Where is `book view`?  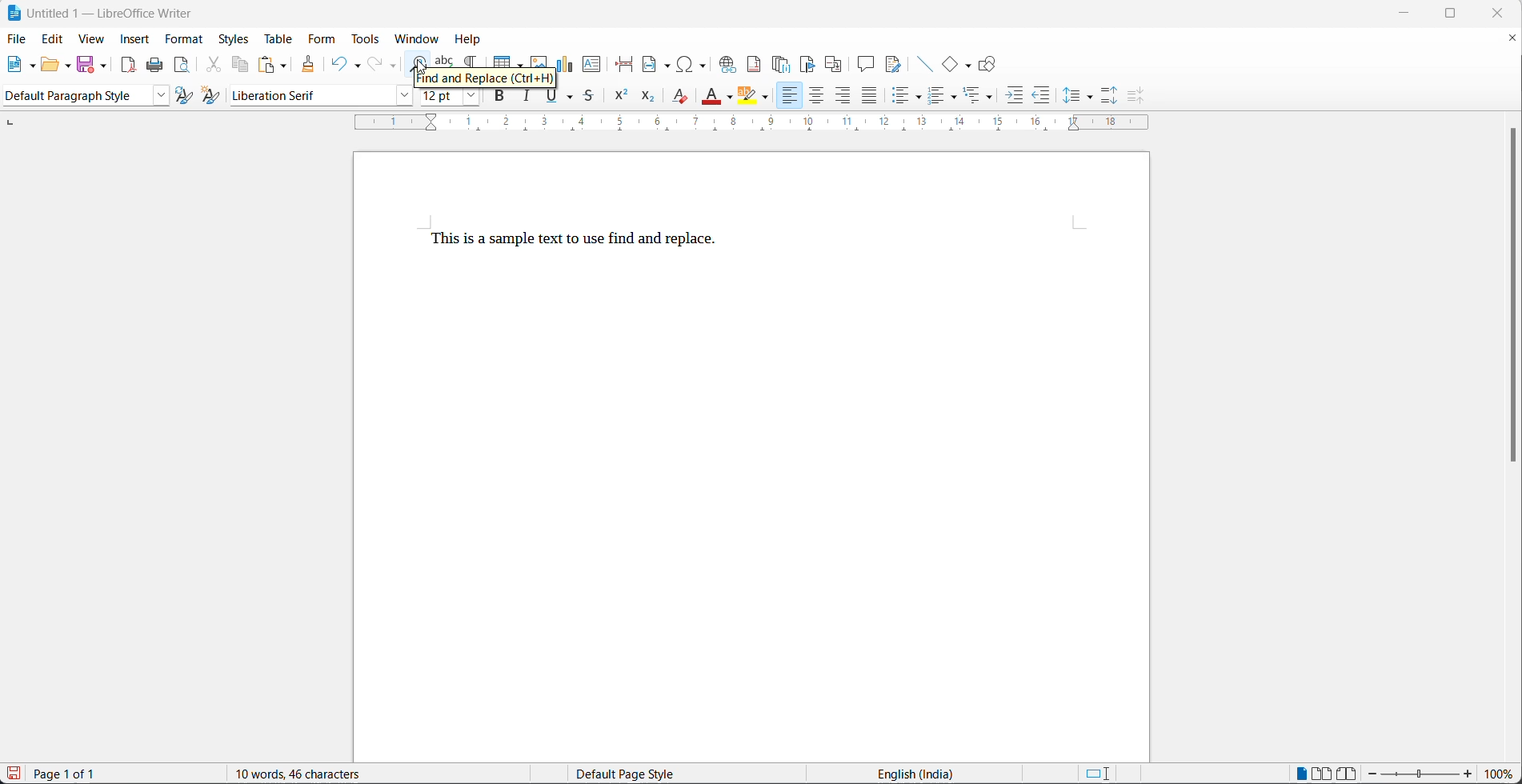
book view is located at coordinates (1348, 773).